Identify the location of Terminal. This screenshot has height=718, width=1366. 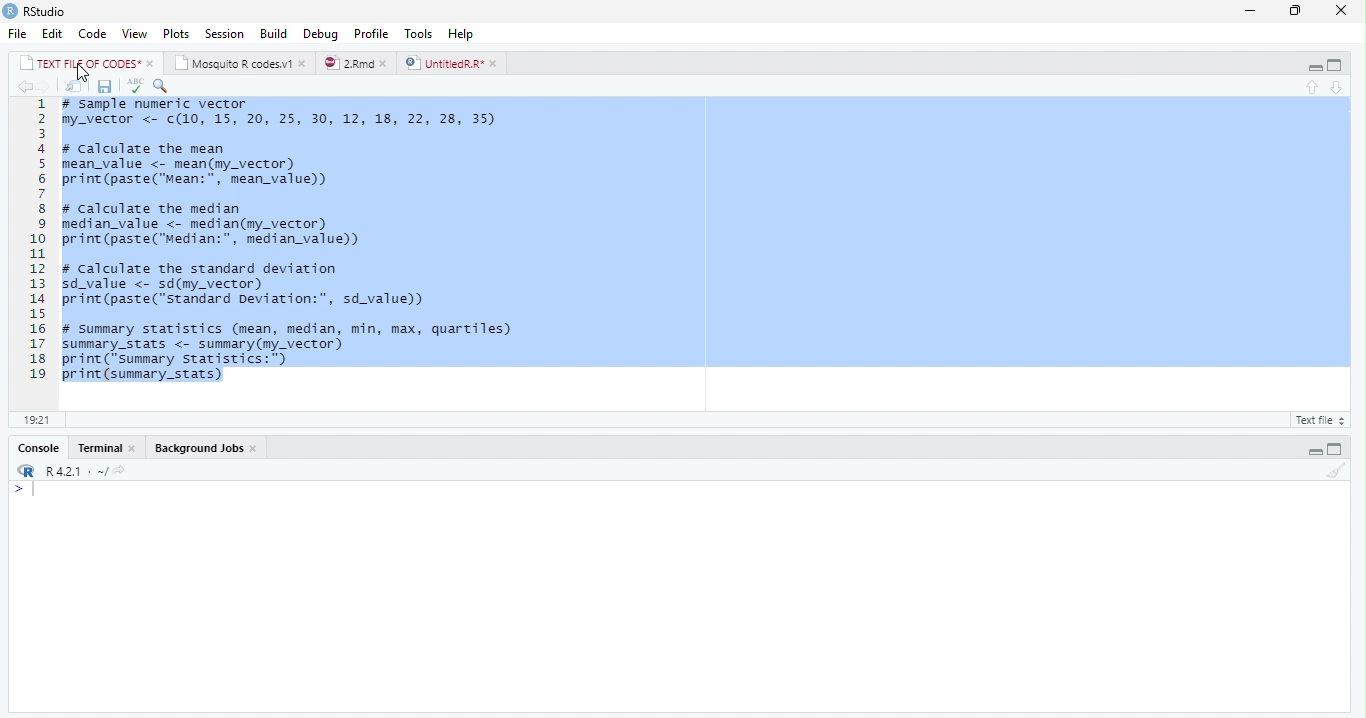
(101, 448).